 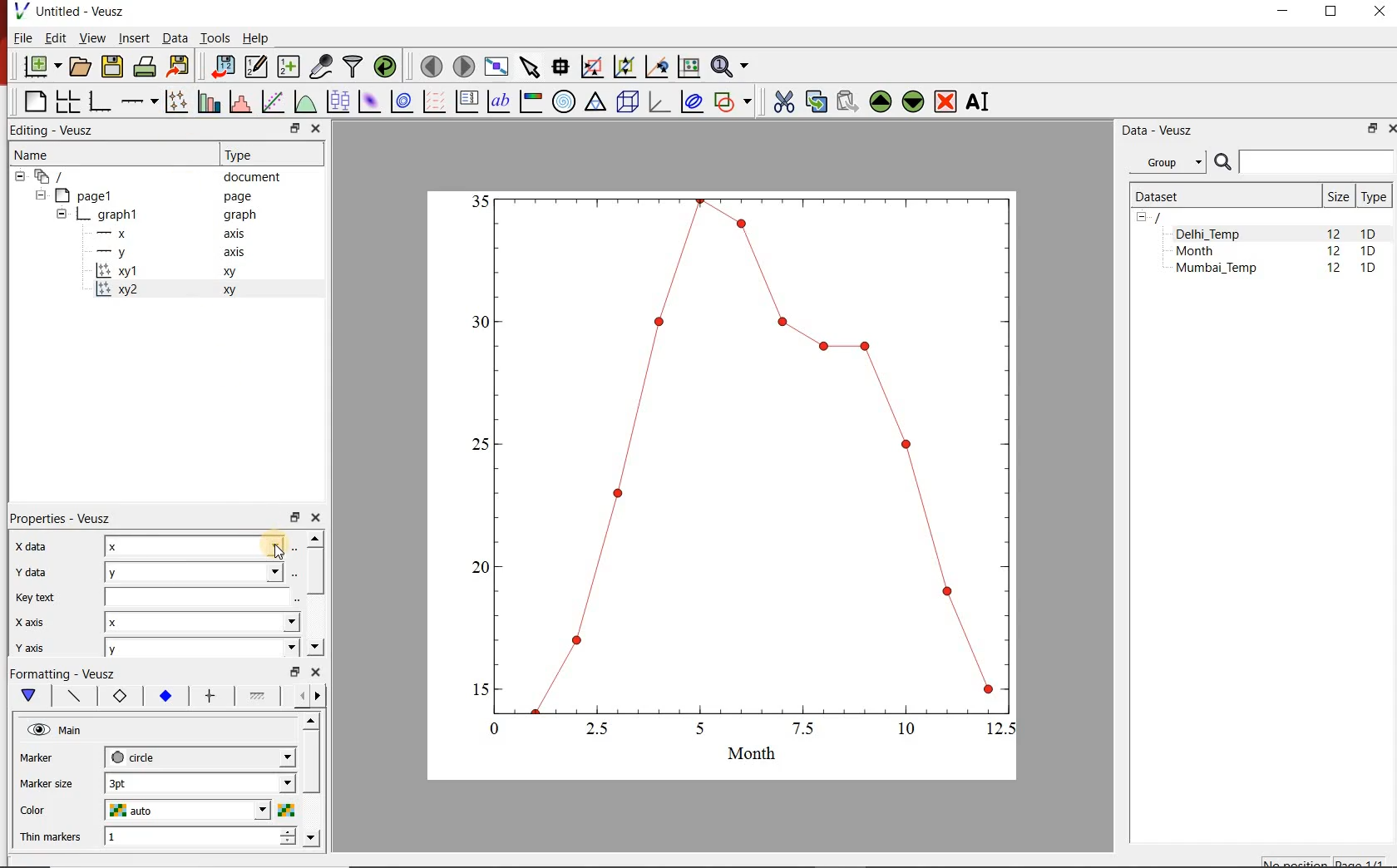 I want to click on move the selected widget down, so click(x=913, y=102).